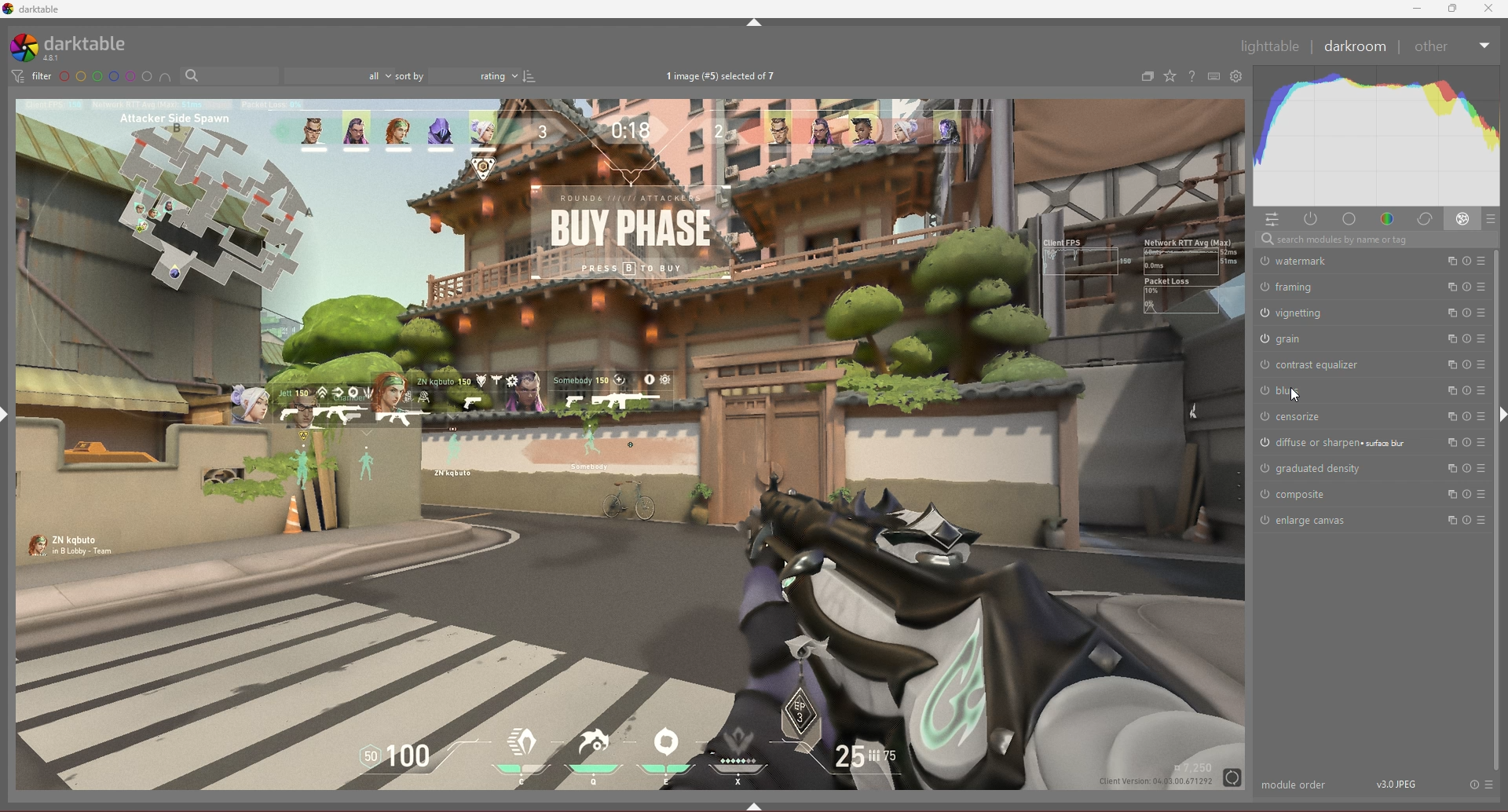  I want to click on censorize, so click(1325, 417).